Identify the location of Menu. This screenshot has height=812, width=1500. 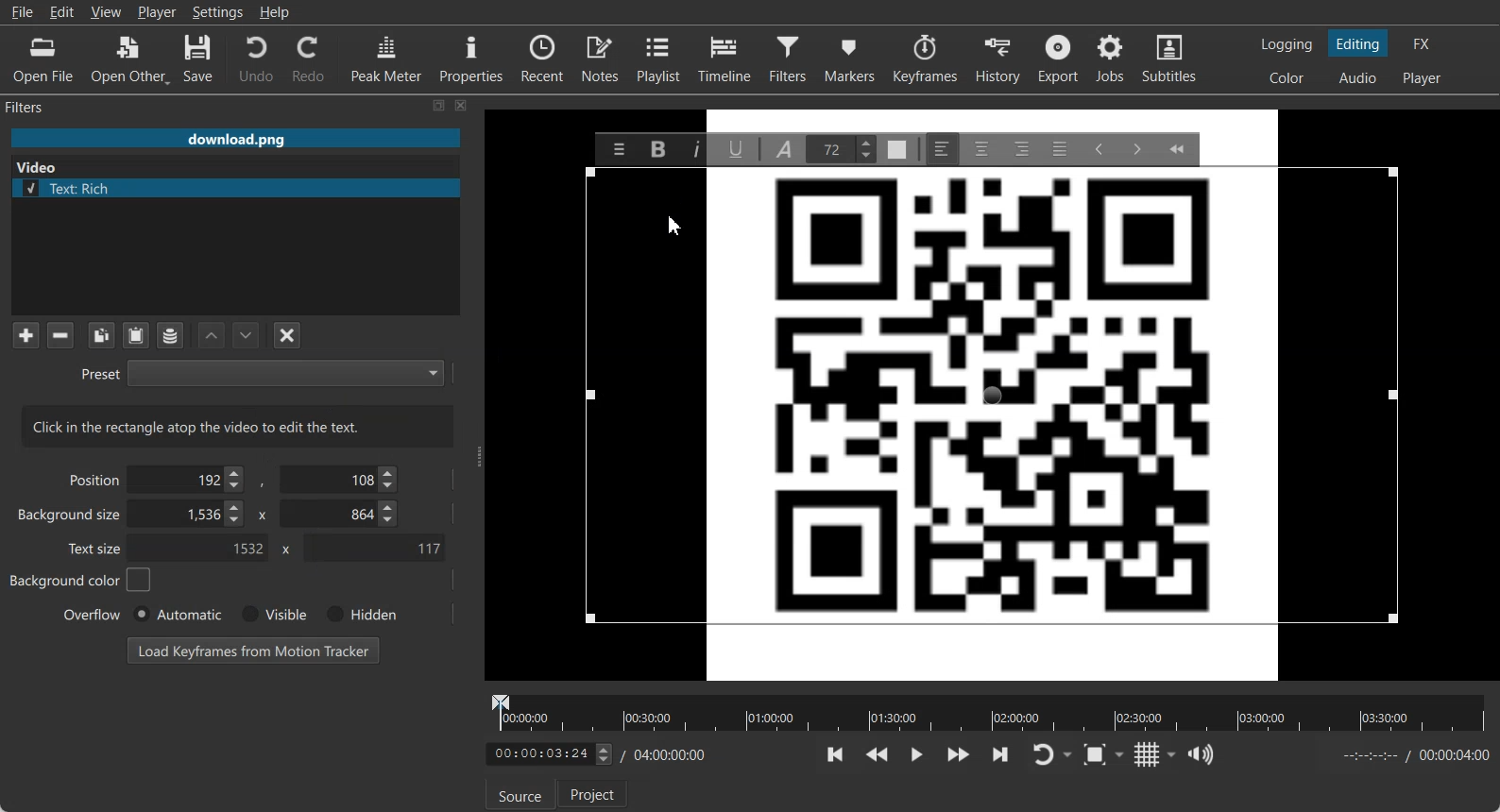
(619, 148).